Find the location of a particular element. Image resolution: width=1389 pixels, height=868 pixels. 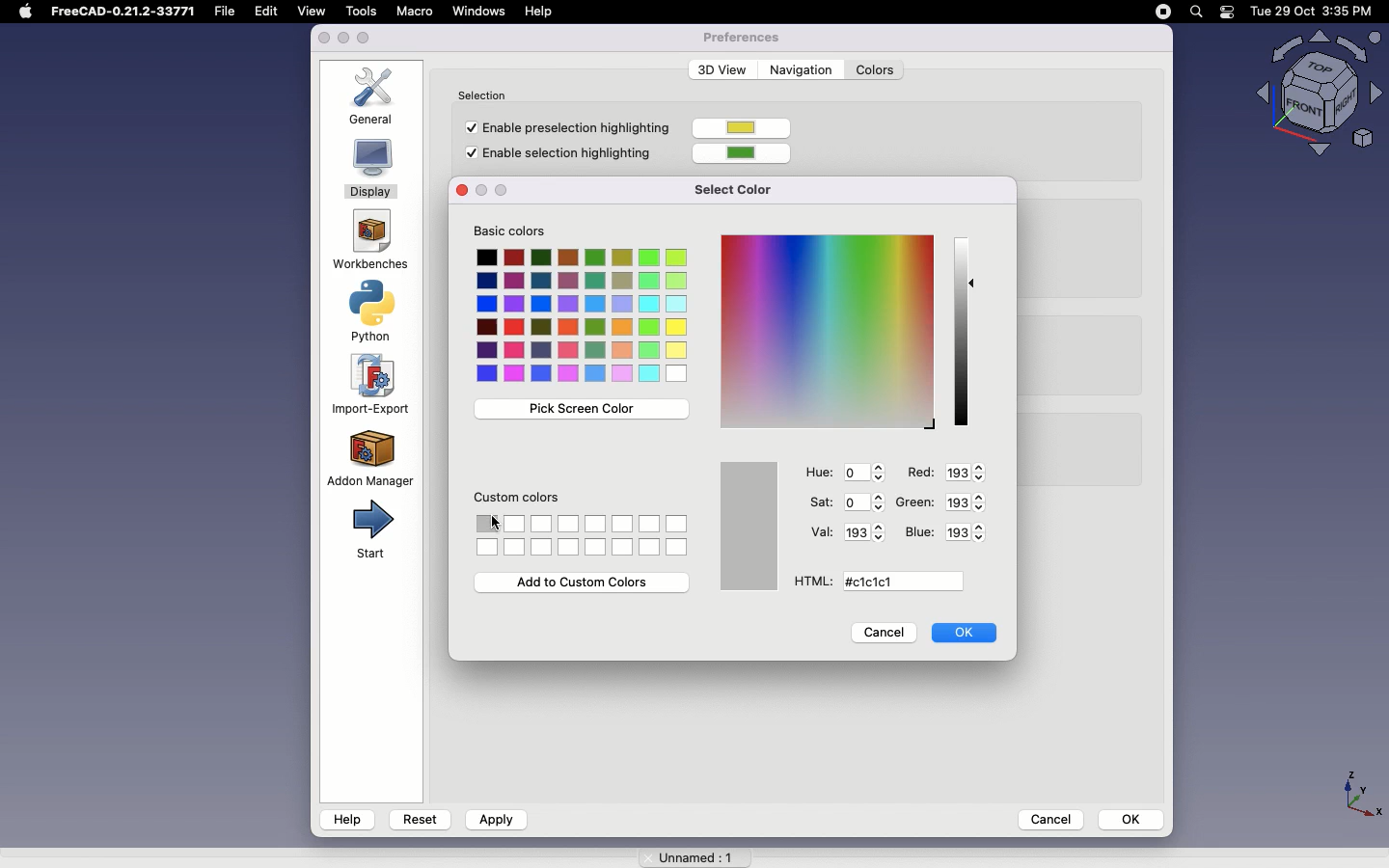

Visualizer is located at coordinates (1312, 95).